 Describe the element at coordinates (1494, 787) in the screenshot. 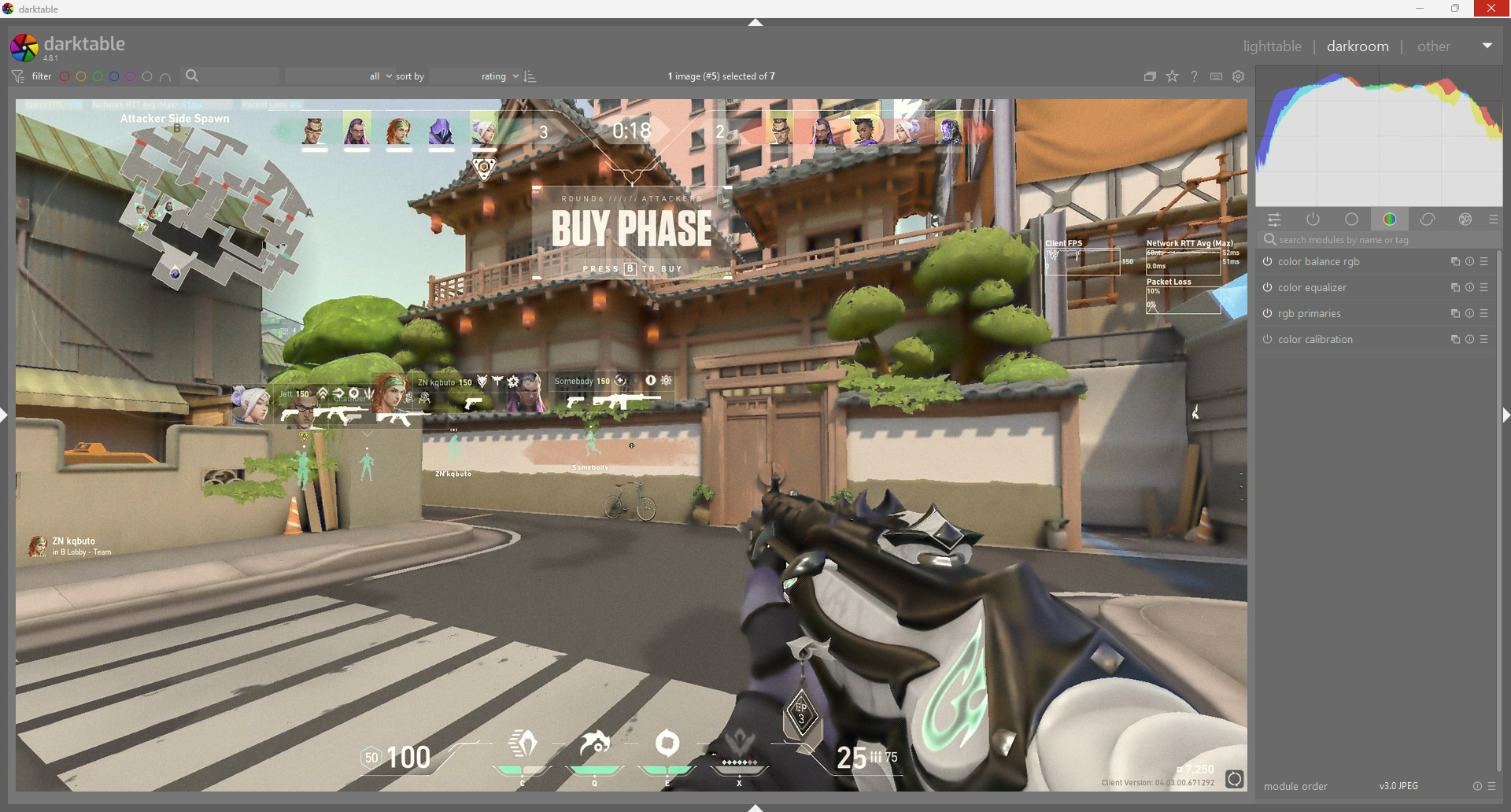

I see `presets` at that location.